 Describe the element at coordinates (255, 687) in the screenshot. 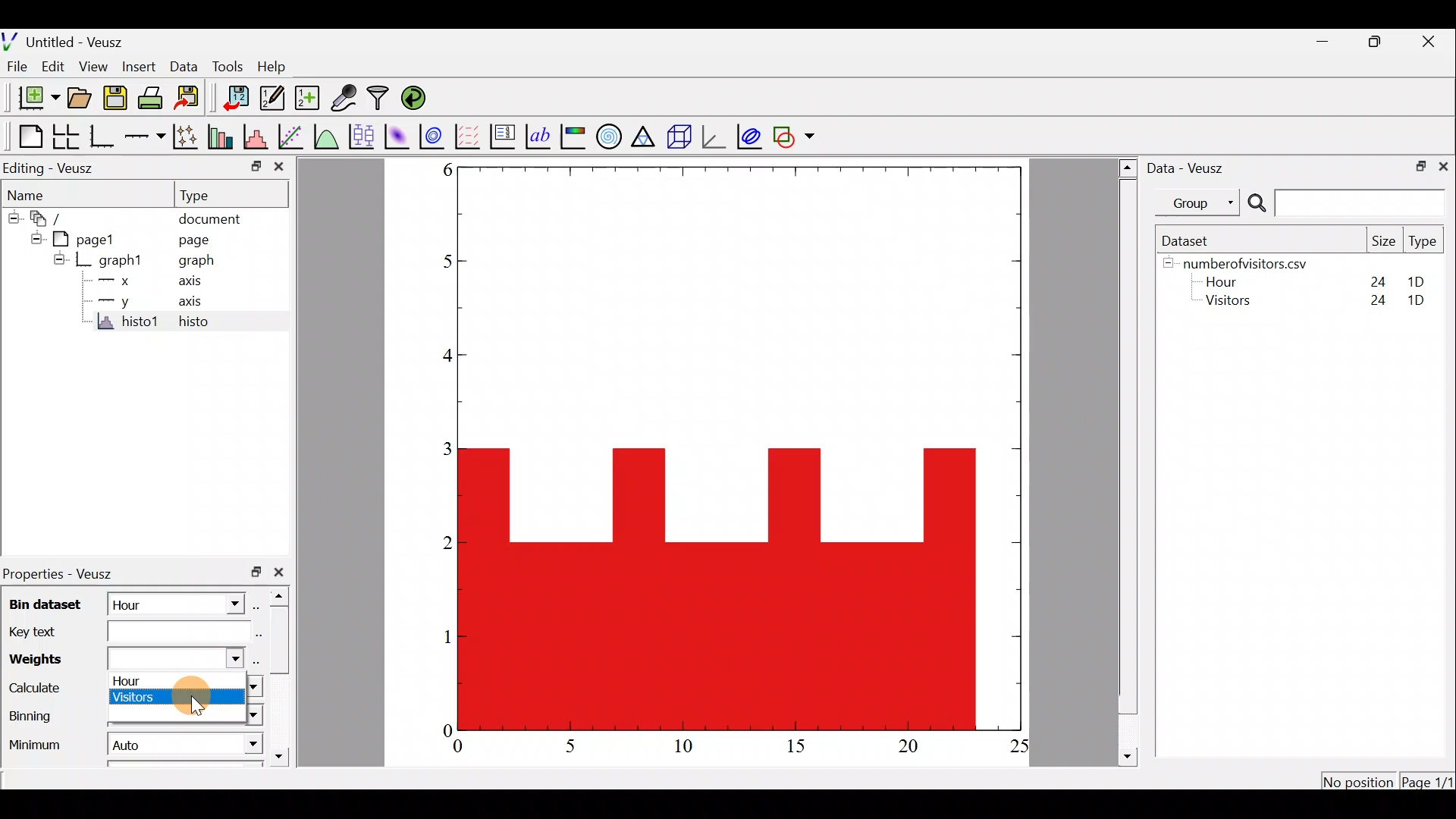

I see `calculate dropdown` at that location.